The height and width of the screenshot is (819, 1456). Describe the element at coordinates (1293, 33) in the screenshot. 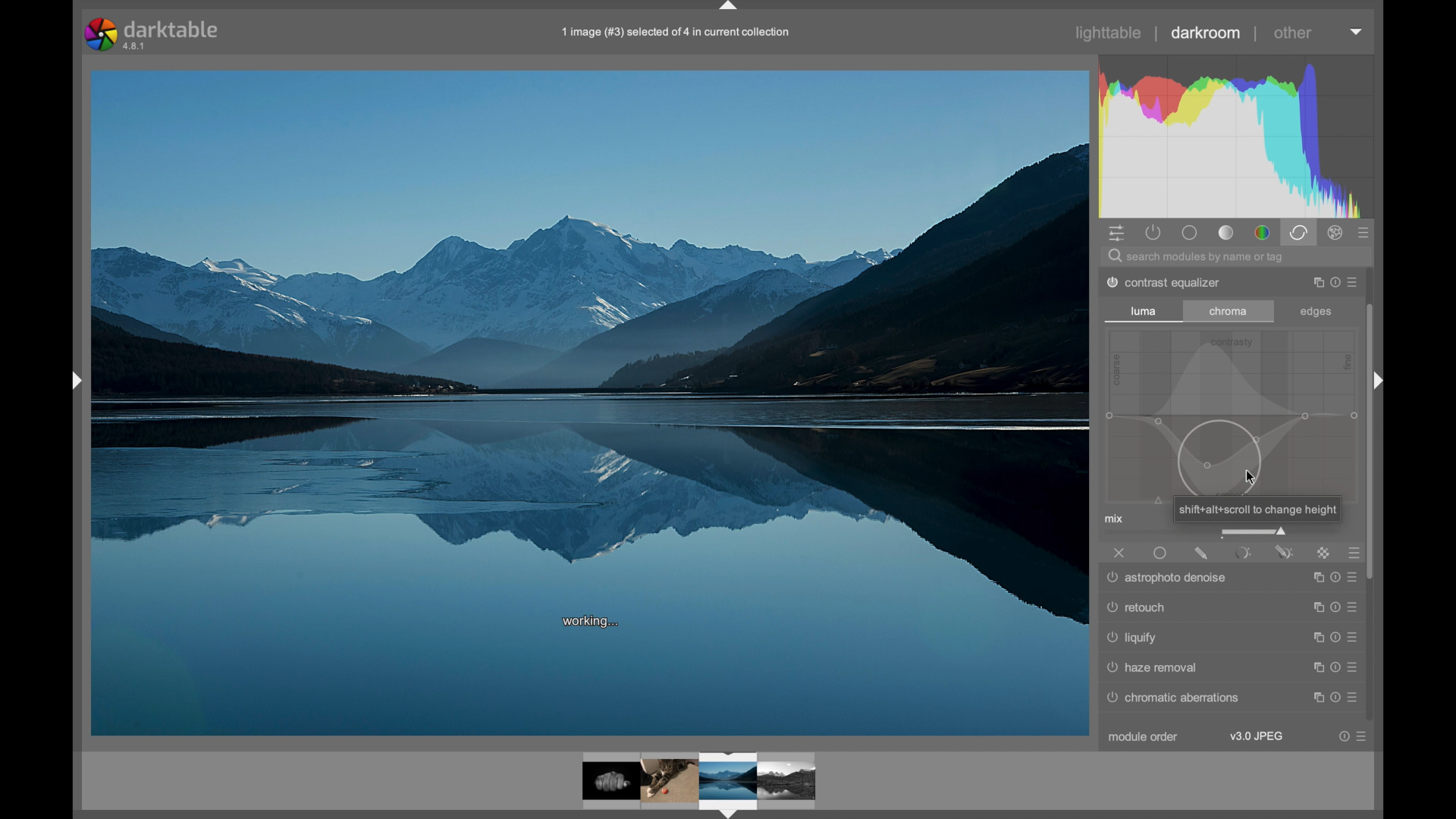

I see `other` at that location.